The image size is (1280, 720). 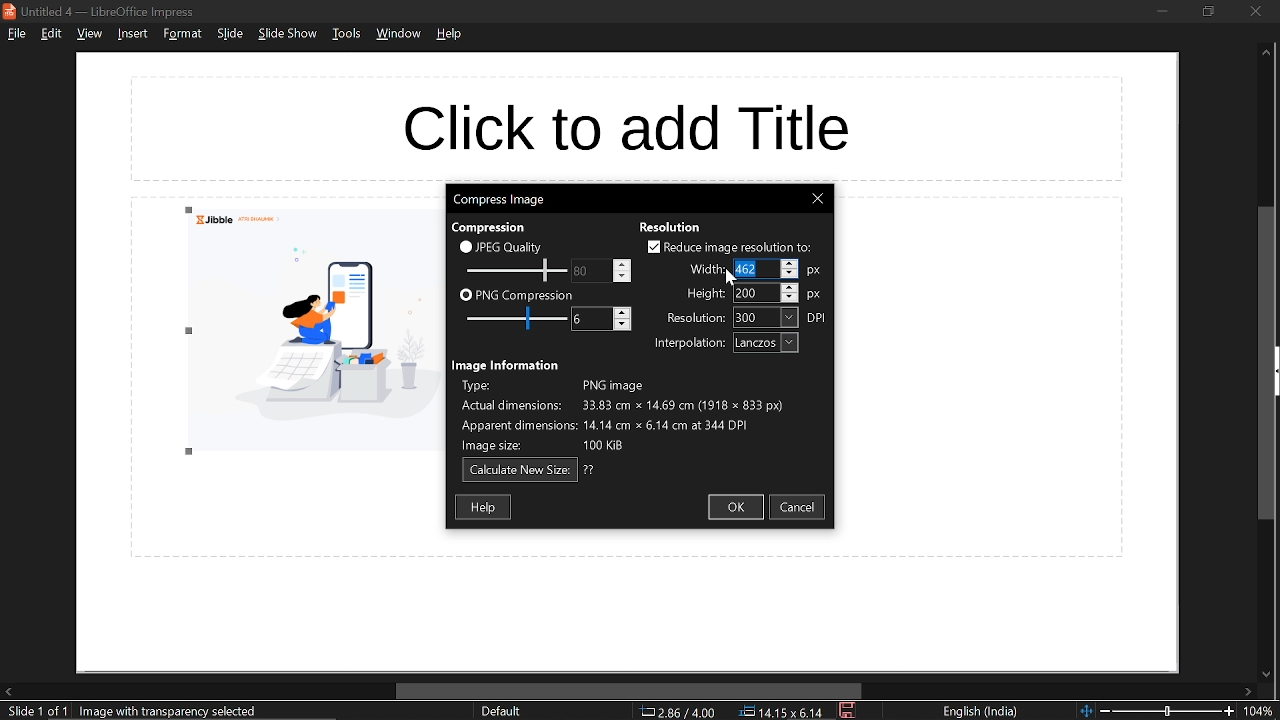 What do you see at coordinates (1162, 10) in the screenshot?
I see `minimize` at bounding box center [1162, 10].